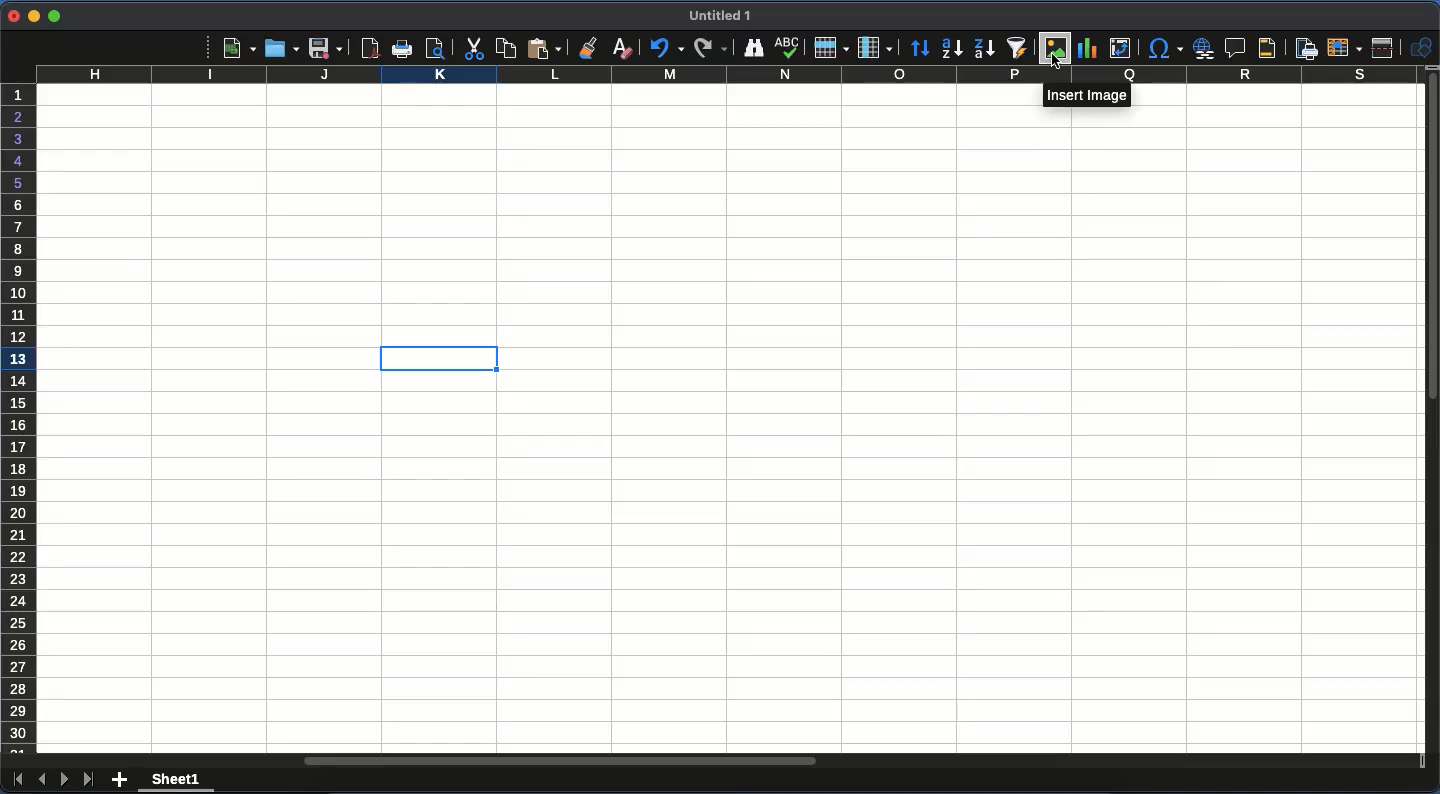 The height and width of the screenshot is (794, 1440). I want to click on define print area, so click(1305, 49).